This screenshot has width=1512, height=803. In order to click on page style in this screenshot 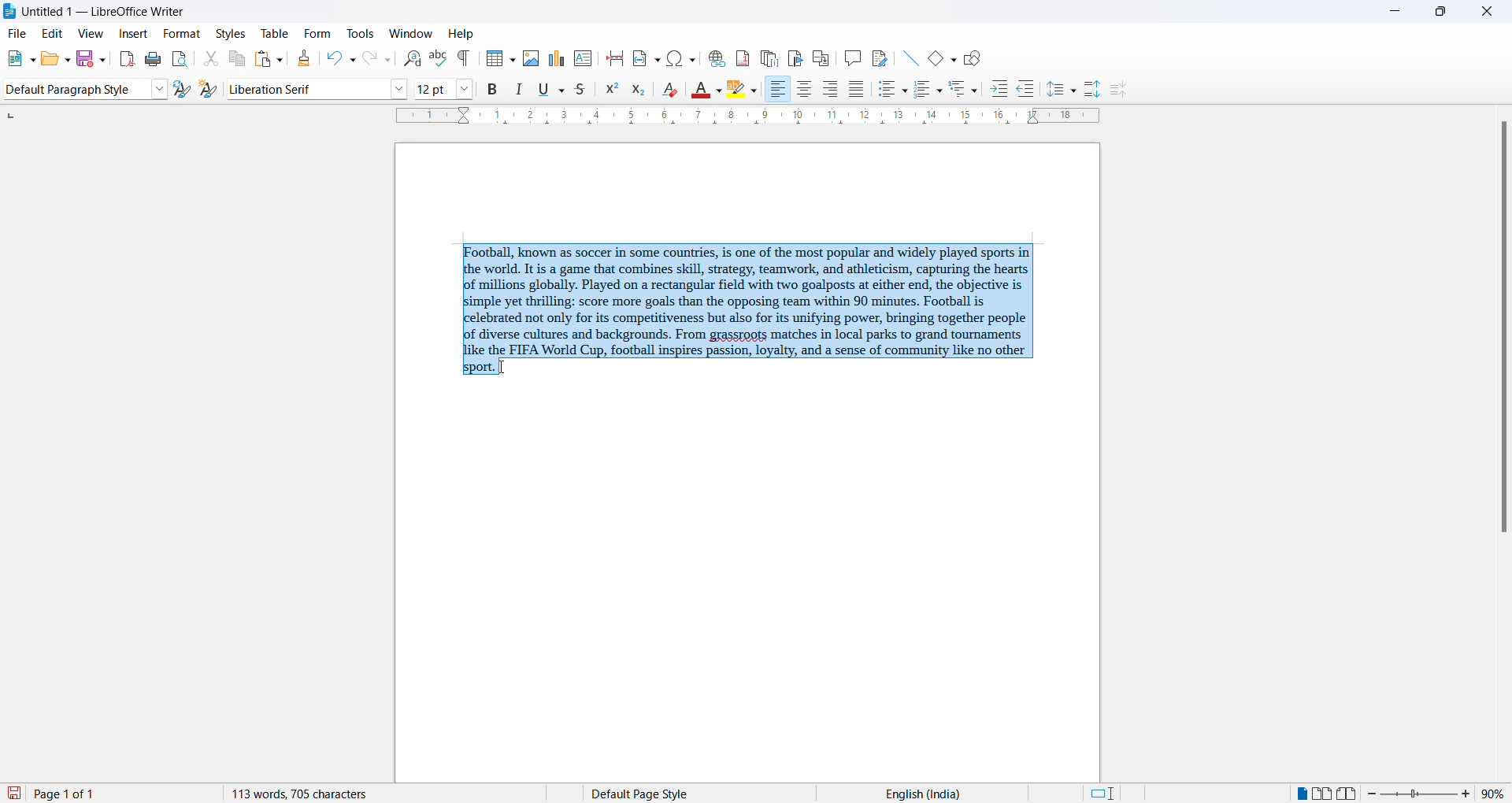, I will do `click(715, 794)`.